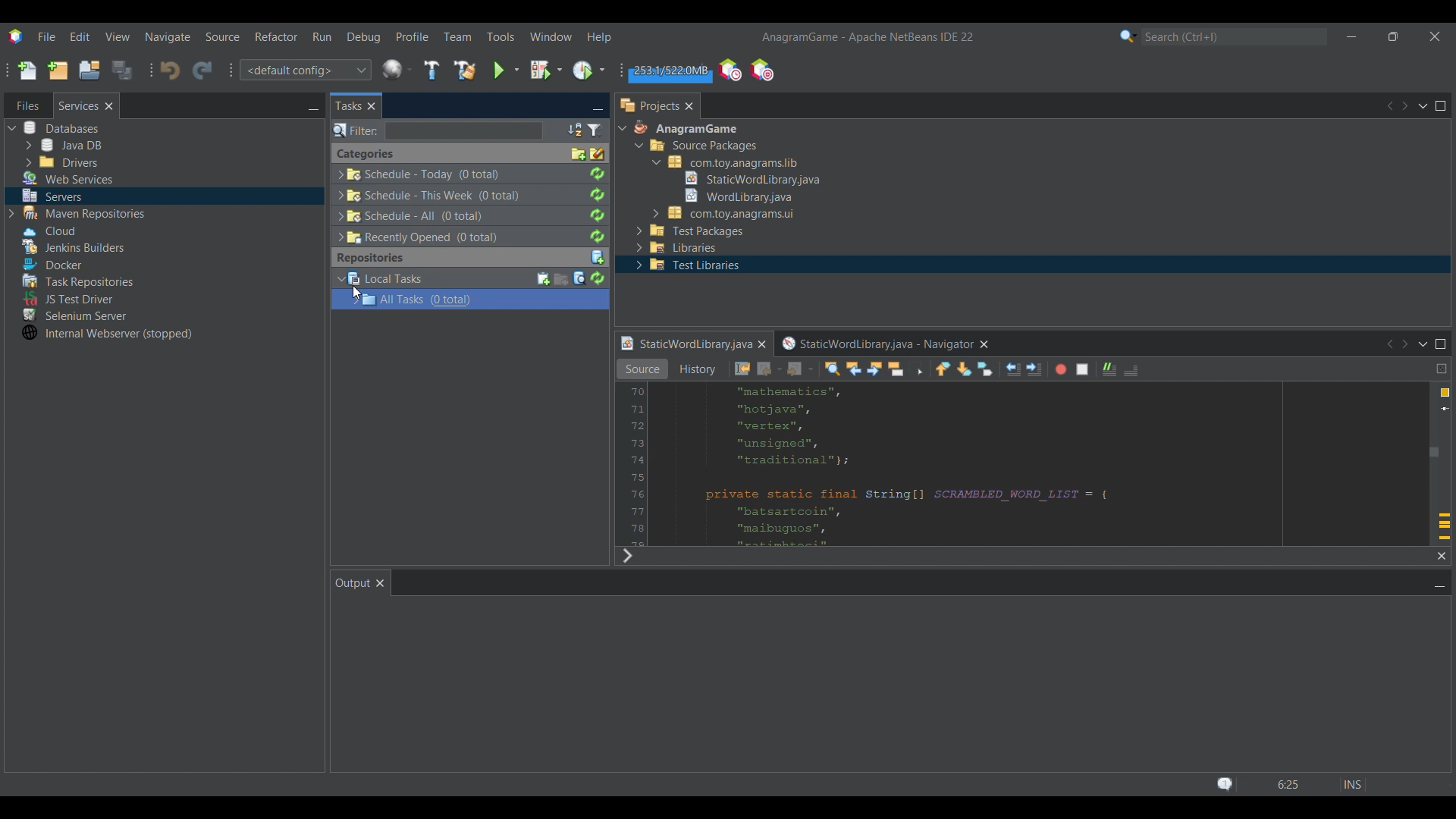 Image resolution: width=1456 pixels, height=819 pixels. I want to click on , so click(688, 342).